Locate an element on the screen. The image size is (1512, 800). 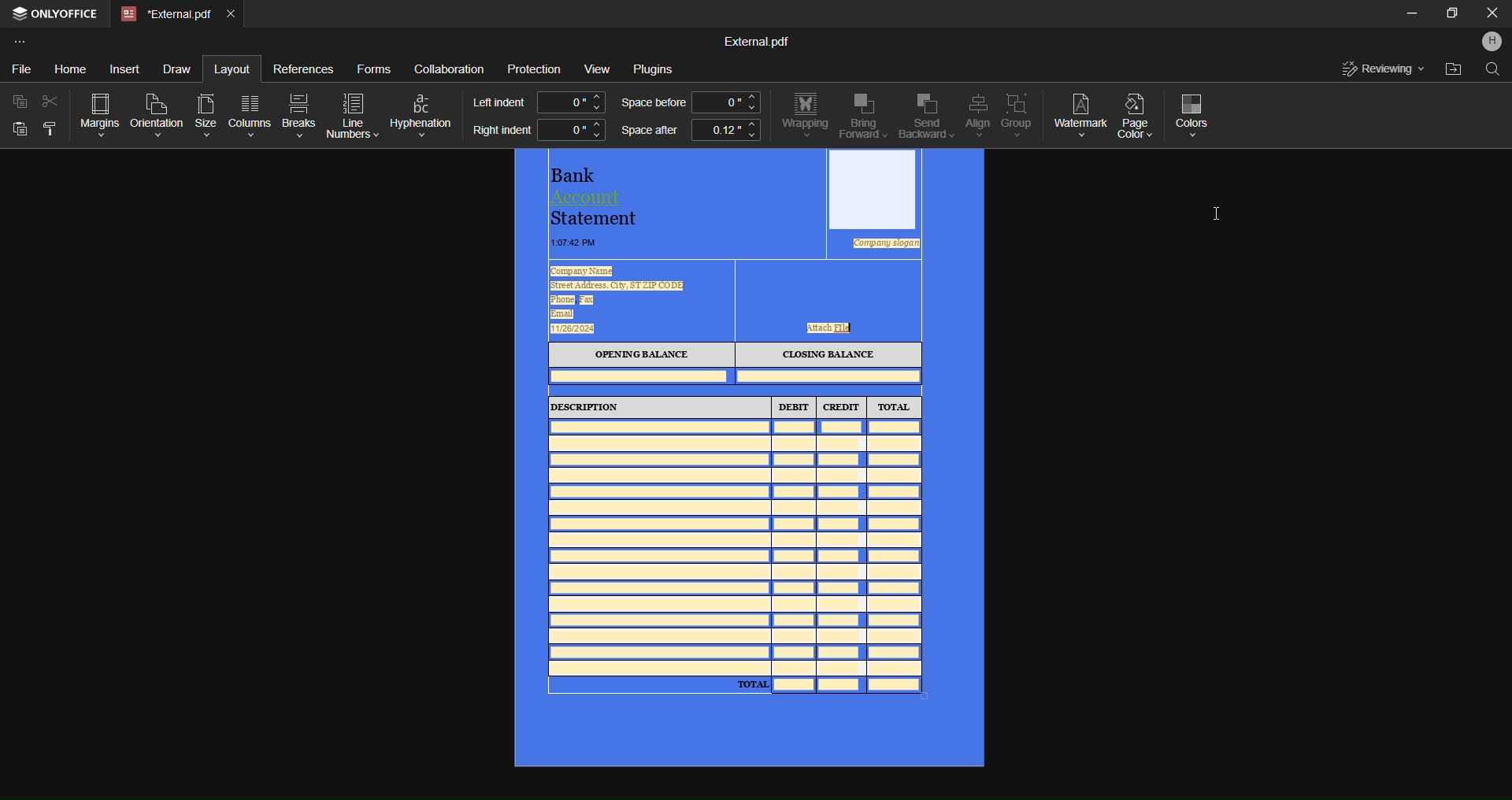
Watermark is located at coordinates (1080, 113).